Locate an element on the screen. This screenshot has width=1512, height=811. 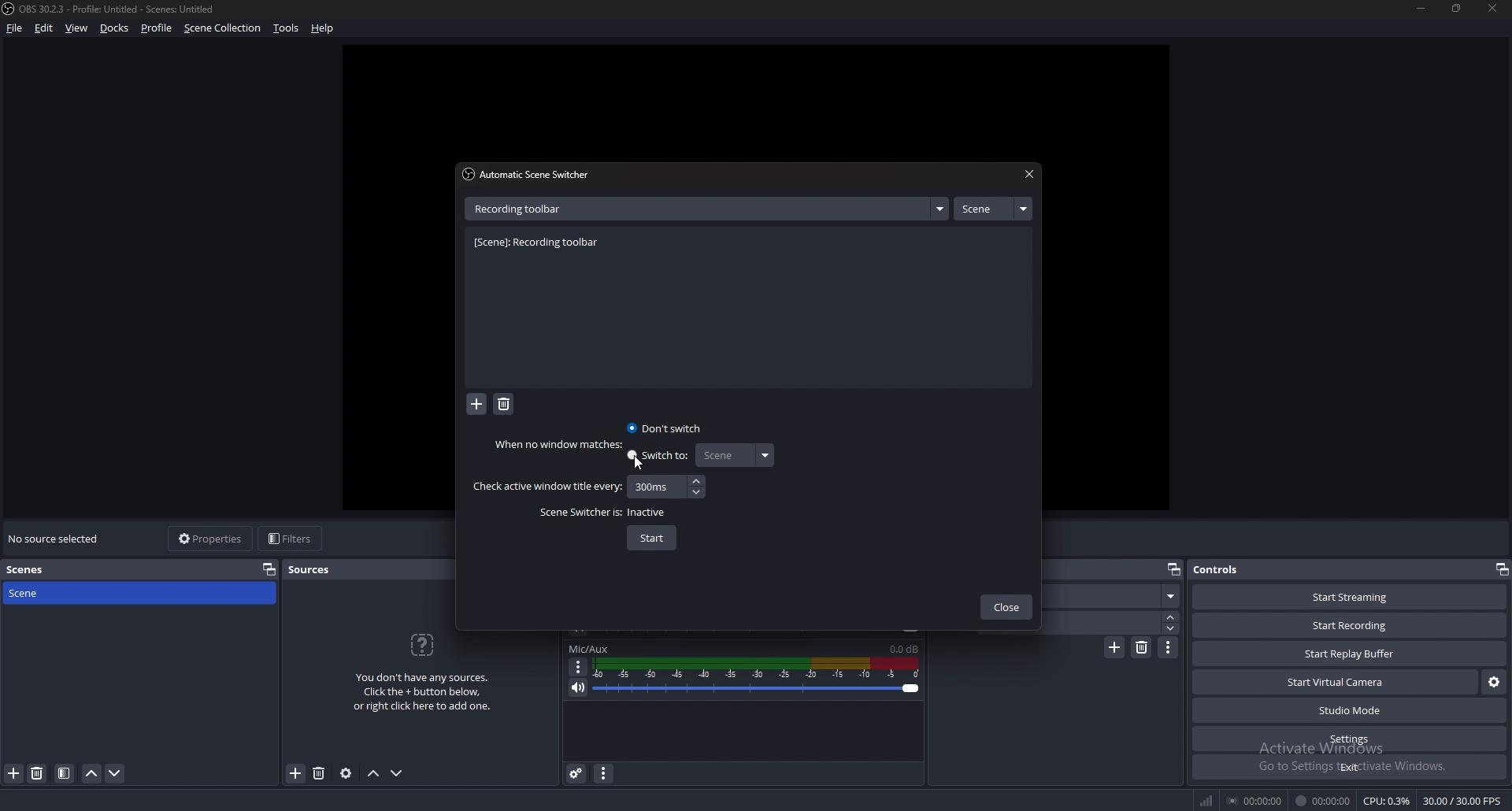
add scene is located at coordinates (14, 772).